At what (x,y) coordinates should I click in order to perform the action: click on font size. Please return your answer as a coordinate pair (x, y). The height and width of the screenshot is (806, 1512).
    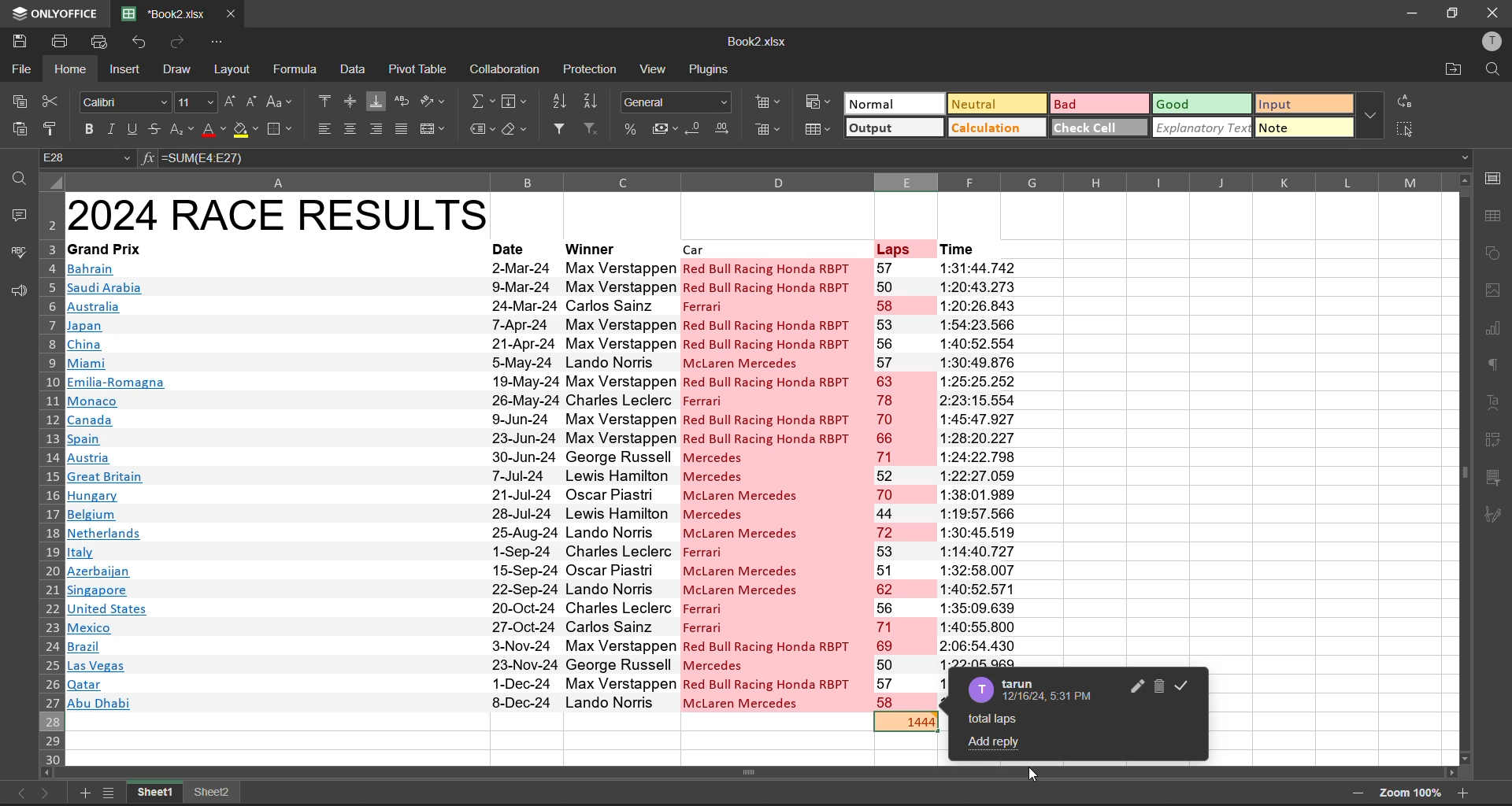
    Looking at the image, I should click on (198, 102).